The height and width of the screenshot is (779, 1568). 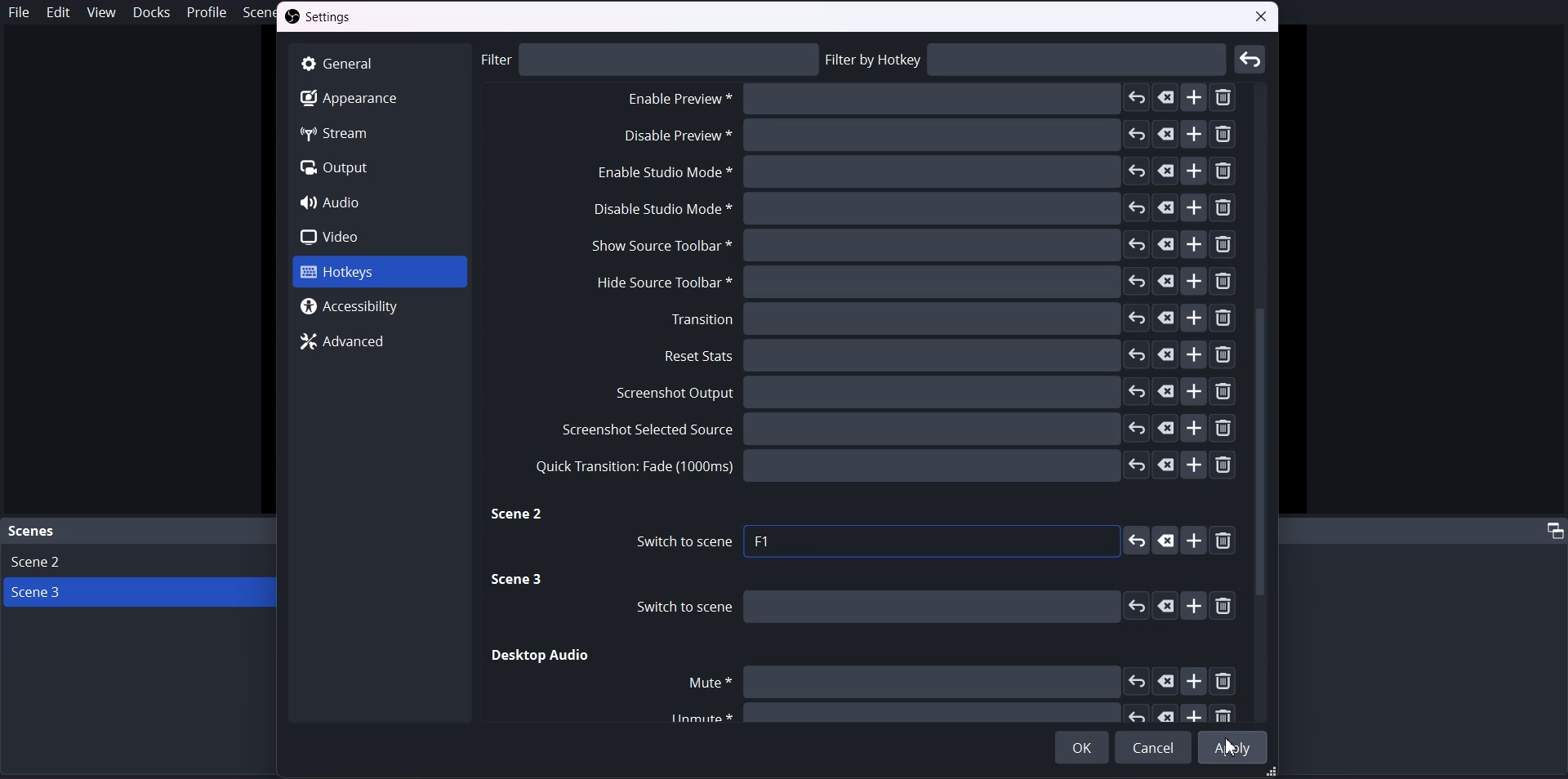 I want to click on Docks, so click(x=151, y=12).